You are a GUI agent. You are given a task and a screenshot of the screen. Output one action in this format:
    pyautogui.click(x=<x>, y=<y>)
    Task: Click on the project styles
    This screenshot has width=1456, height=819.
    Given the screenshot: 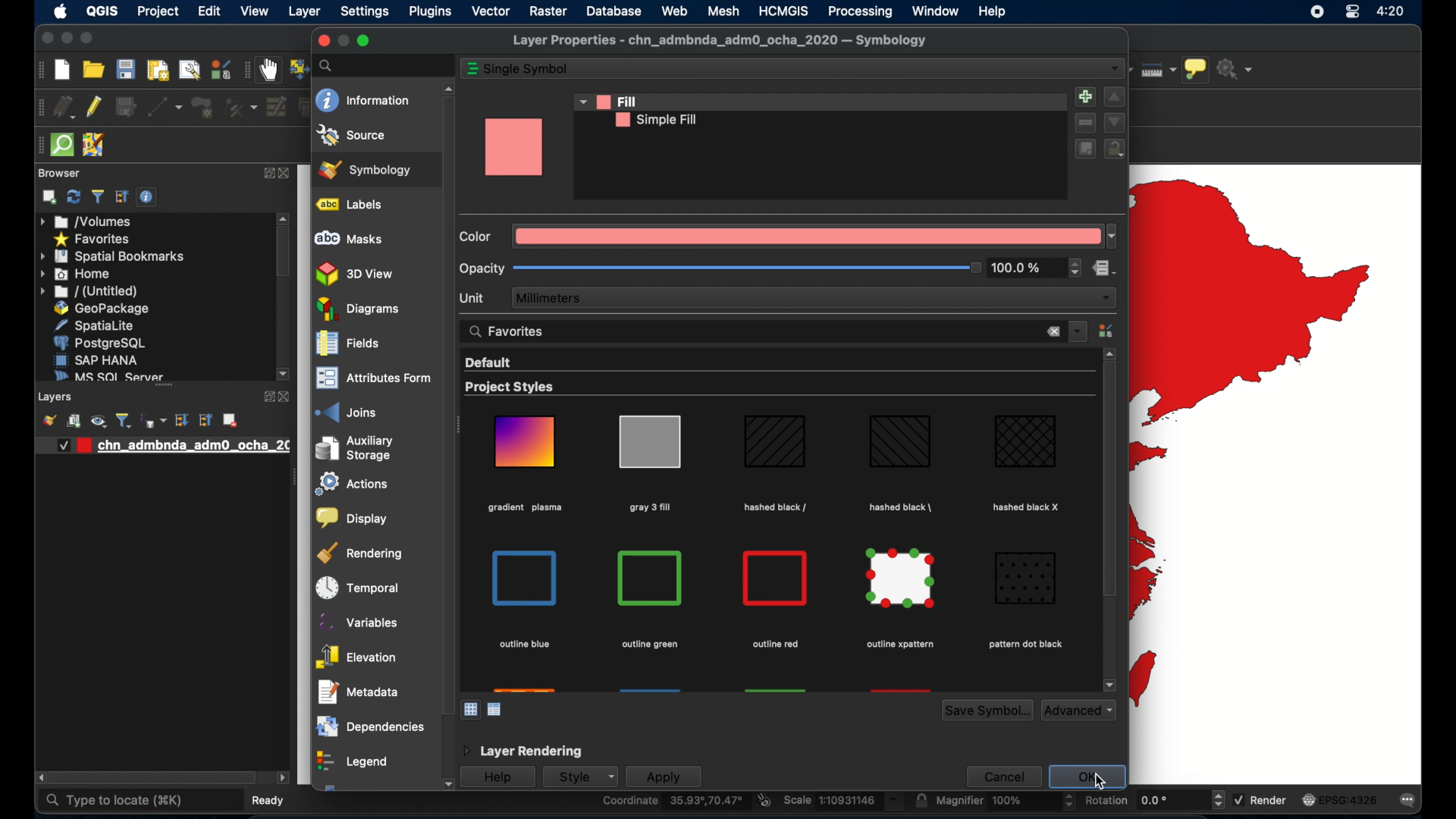 What is the action you would take?
    pyautogui.click(x=510, y=388)
    